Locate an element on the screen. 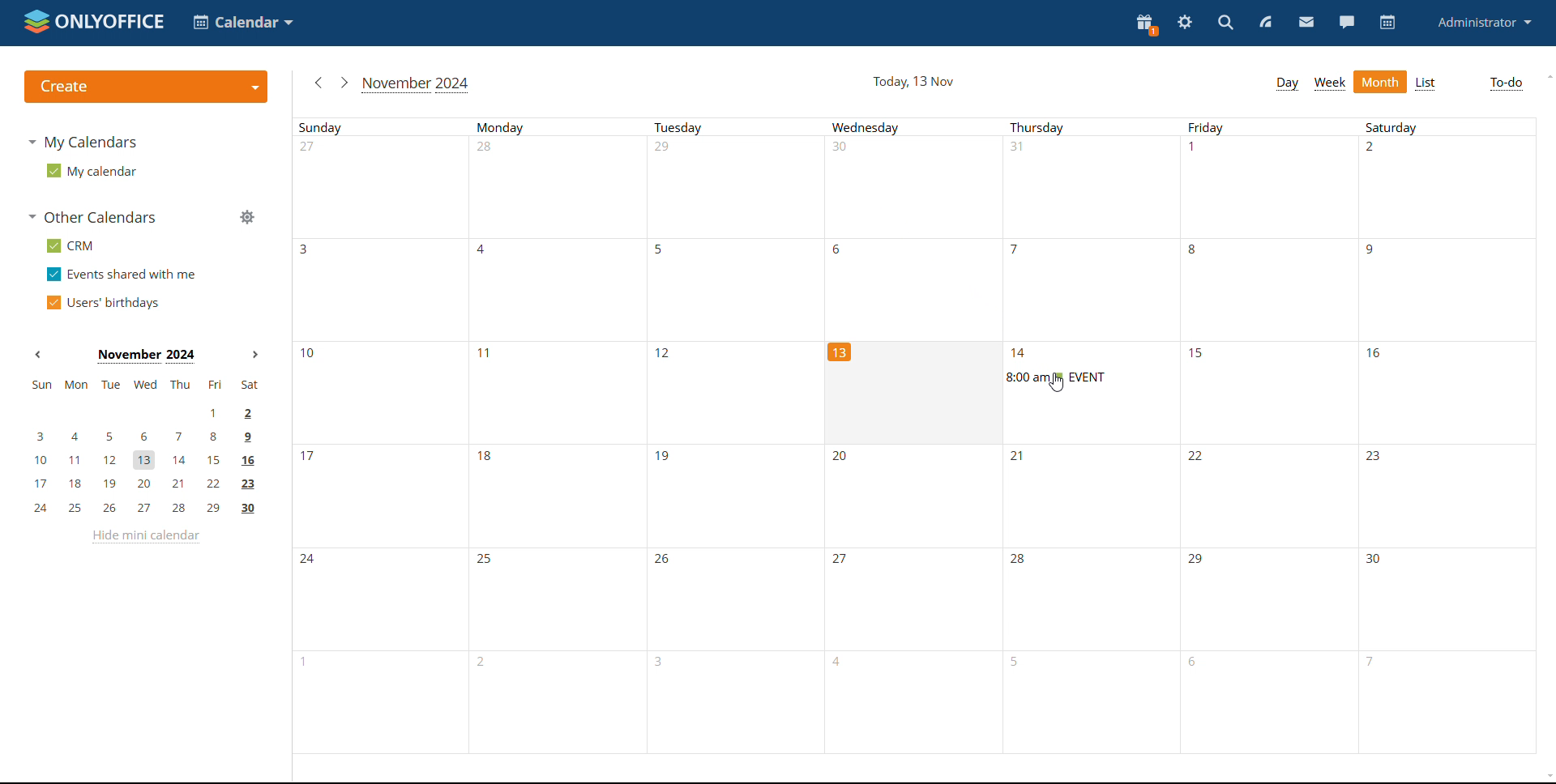  17, 18, 19, 20, 21, 22, 23 is located at coordinates (147, 484).